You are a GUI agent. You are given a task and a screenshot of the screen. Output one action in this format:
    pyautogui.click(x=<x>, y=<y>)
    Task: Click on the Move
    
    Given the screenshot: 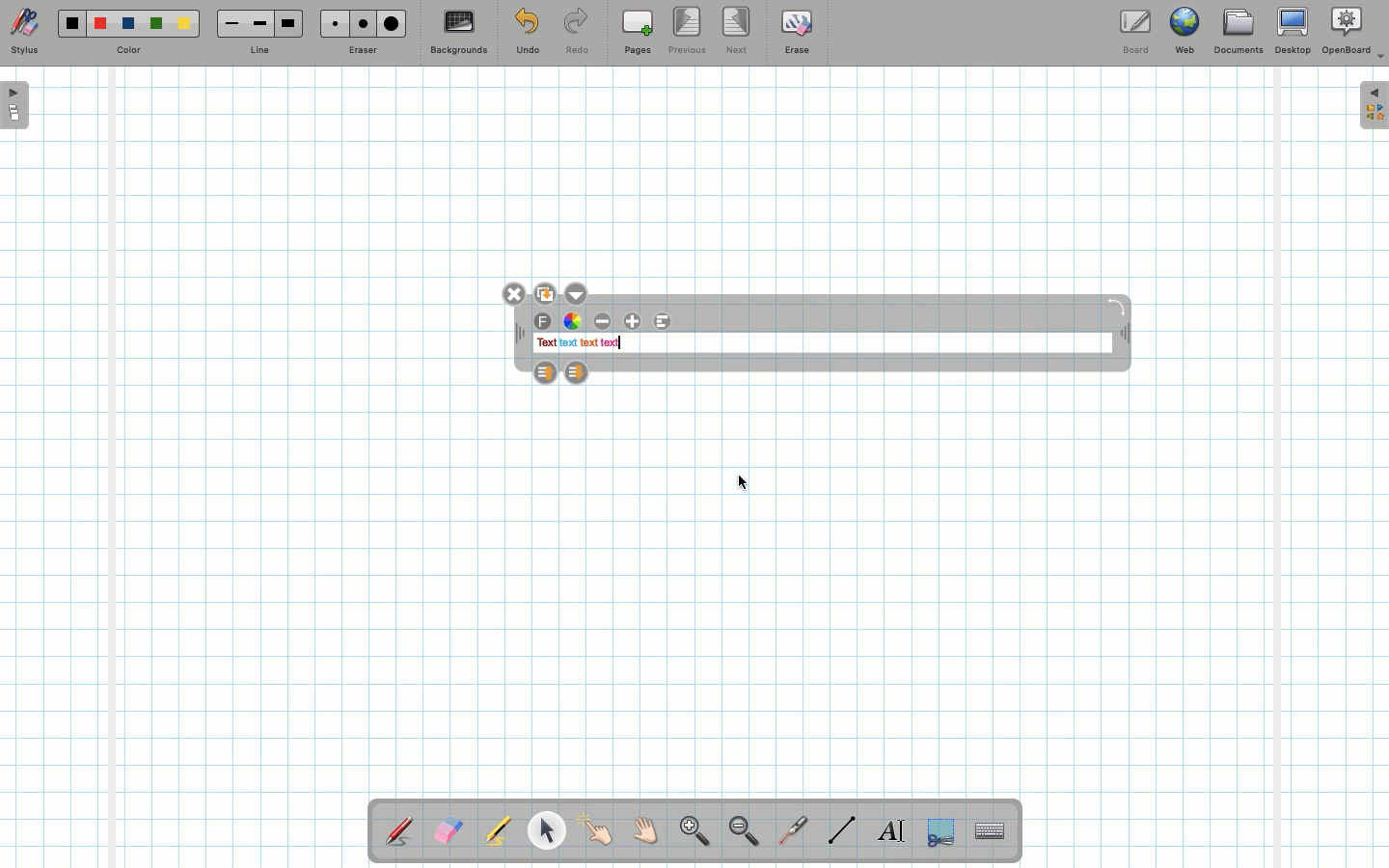 What is the action you would take?
    pyautogui.click(x=1123, y=336)
    